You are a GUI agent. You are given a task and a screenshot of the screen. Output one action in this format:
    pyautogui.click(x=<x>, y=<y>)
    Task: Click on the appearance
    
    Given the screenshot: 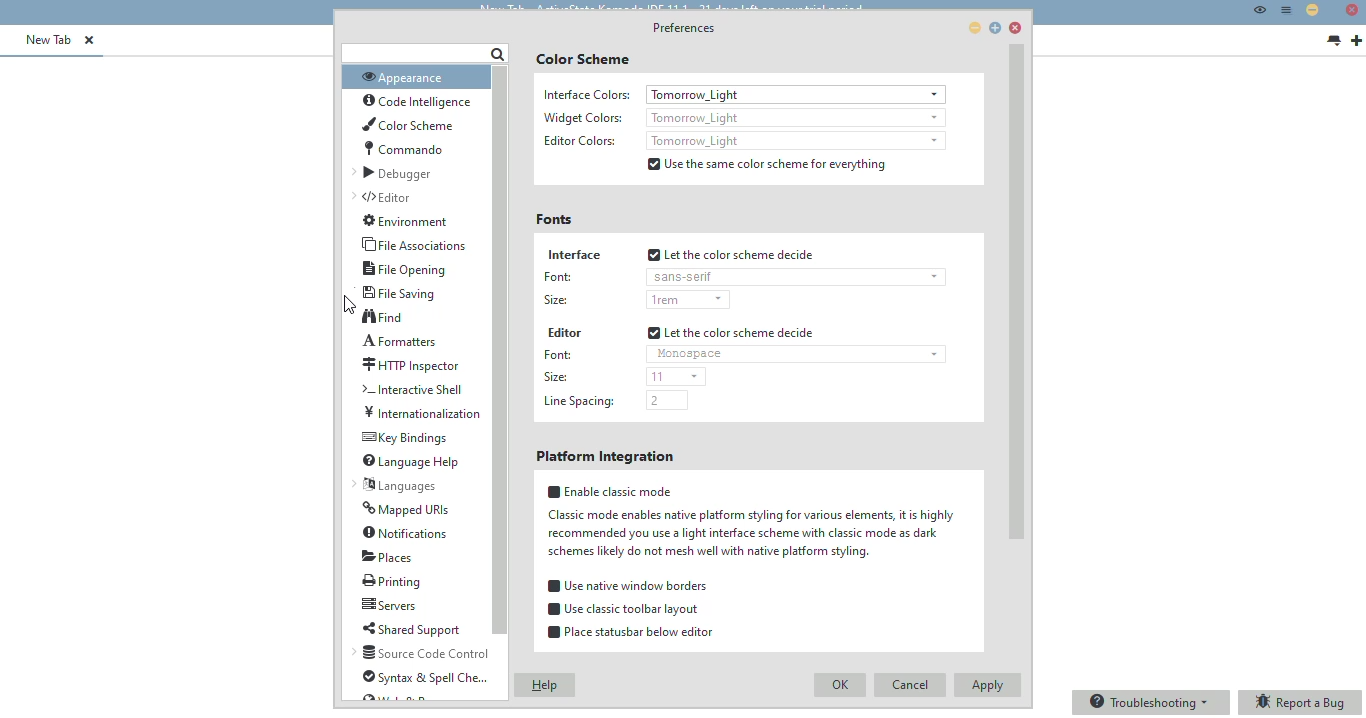 What is the action you would take?
    pyautogui.click(x=404, y=77)
    